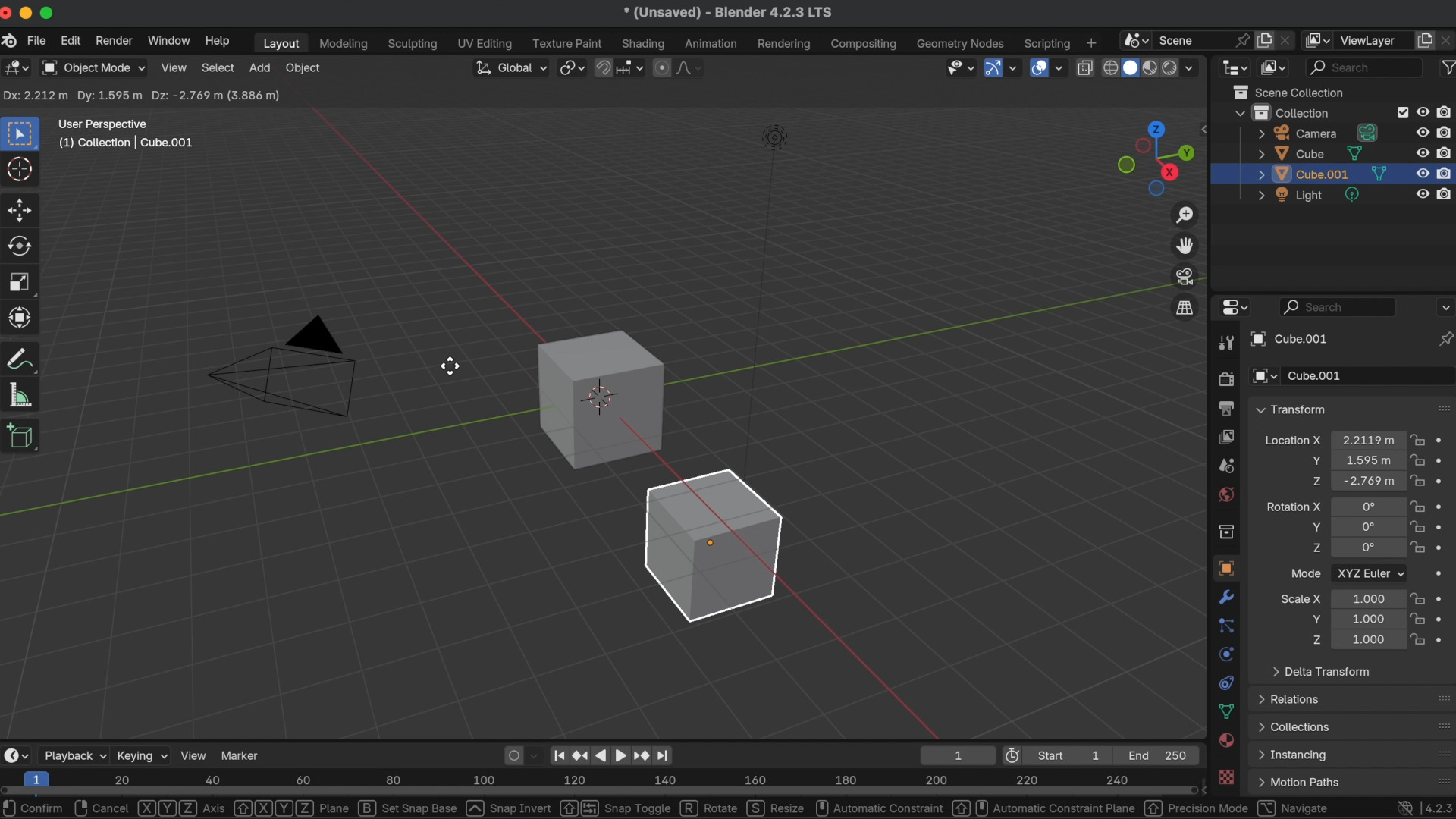 This screenshot has width=1456, height=819. Describe the element at coordinates (218, 67) in the screenshot. I see `select` at that location.